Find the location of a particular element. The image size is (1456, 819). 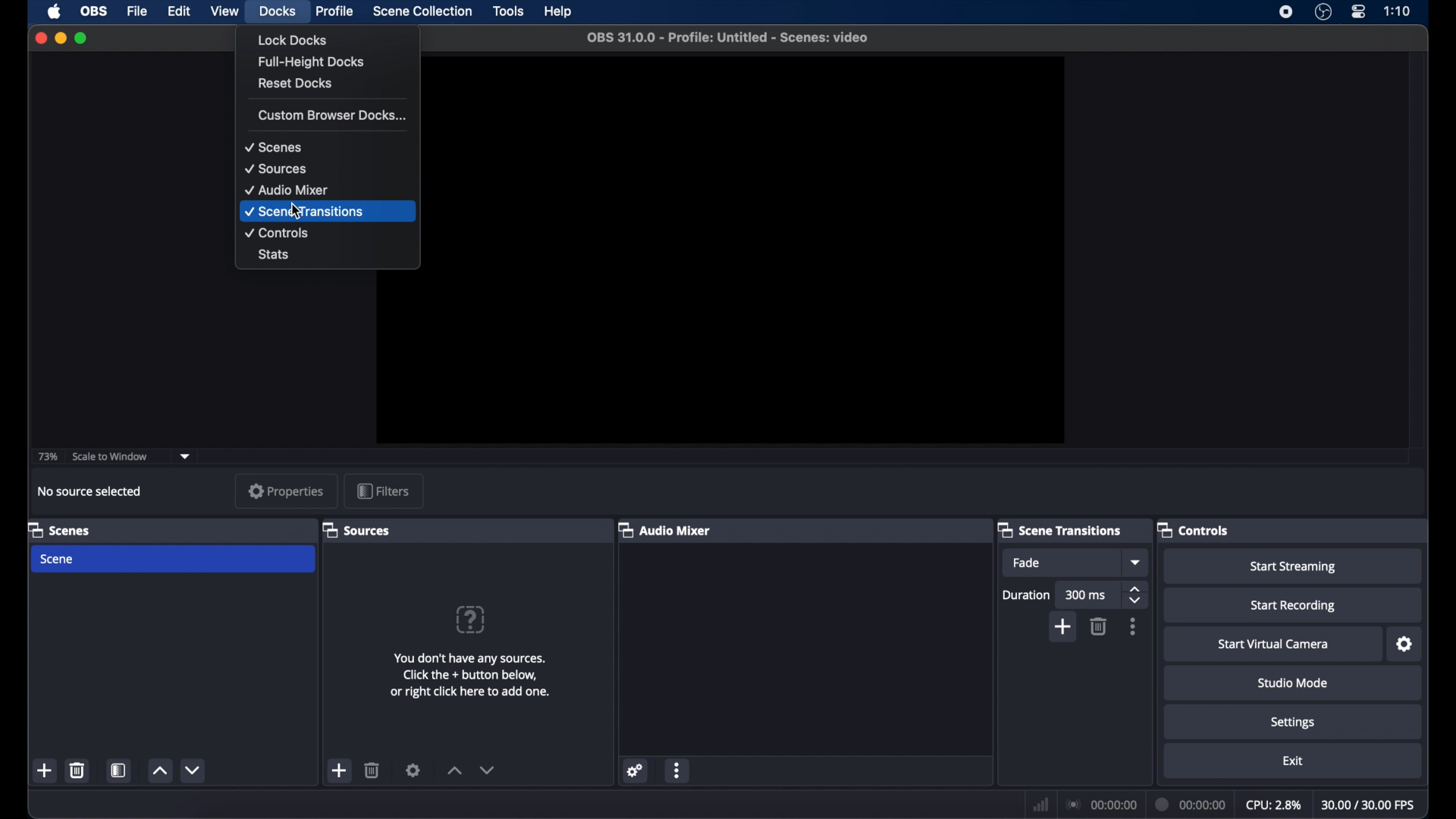

close is located at coordinates (40, 37).